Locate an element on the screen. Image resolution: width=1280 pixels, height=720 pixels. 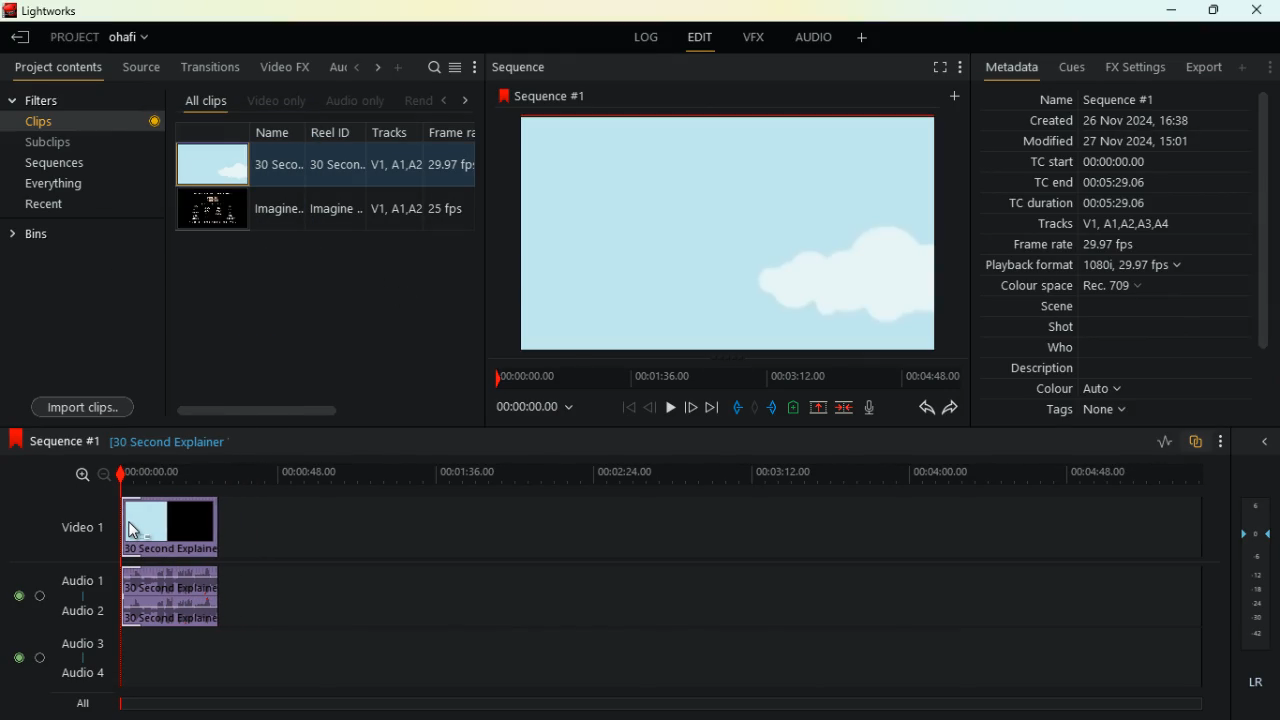
modified 27 Nov 2024, 15:01 is located at coordinates (1112, 141).